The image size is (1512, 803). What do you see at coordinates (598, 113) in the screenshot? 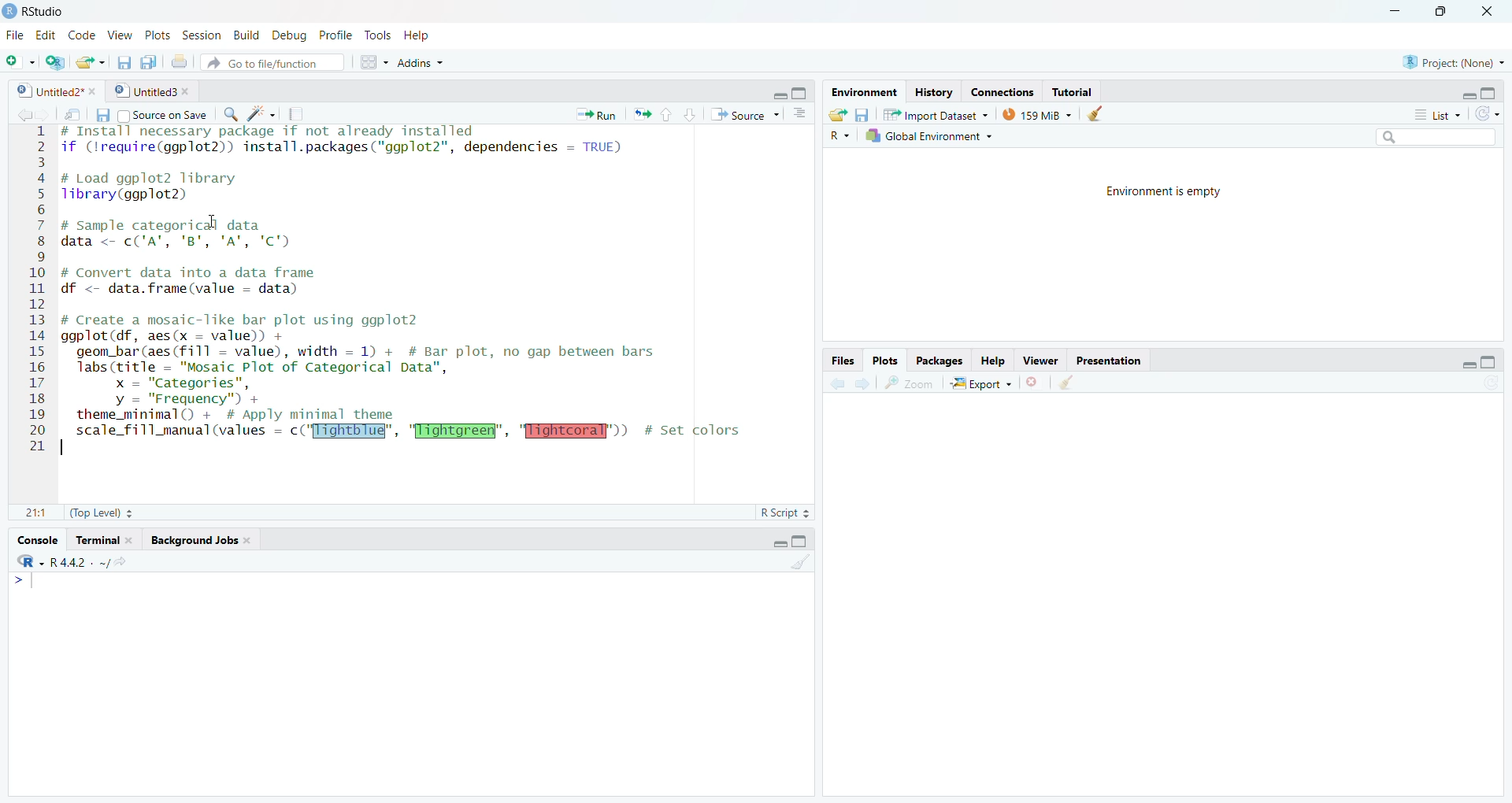
I see `Run` at bounding box center [598, 113].